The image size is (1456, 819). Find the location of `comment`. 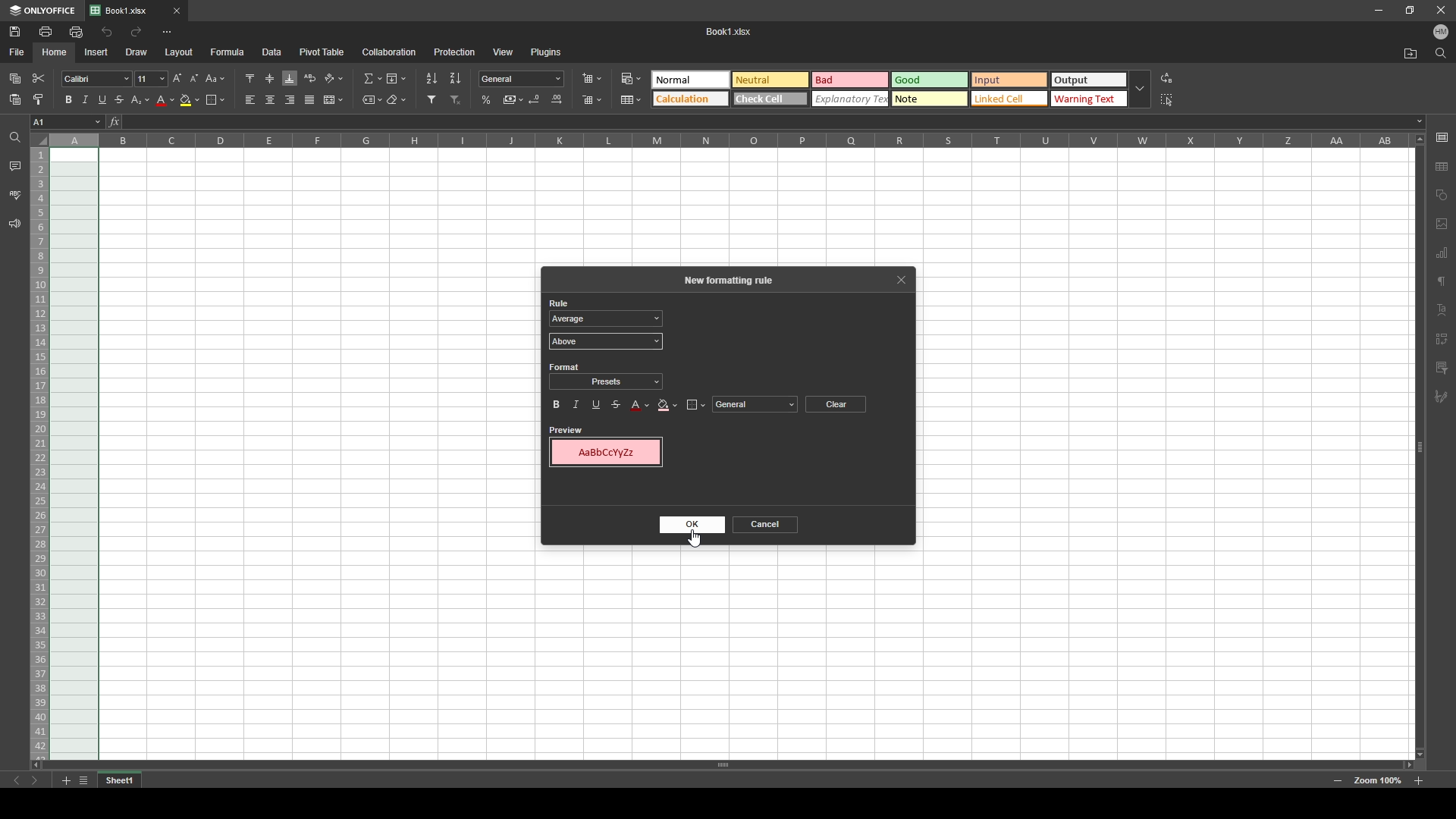

comment is located at coordinates (14, 165).